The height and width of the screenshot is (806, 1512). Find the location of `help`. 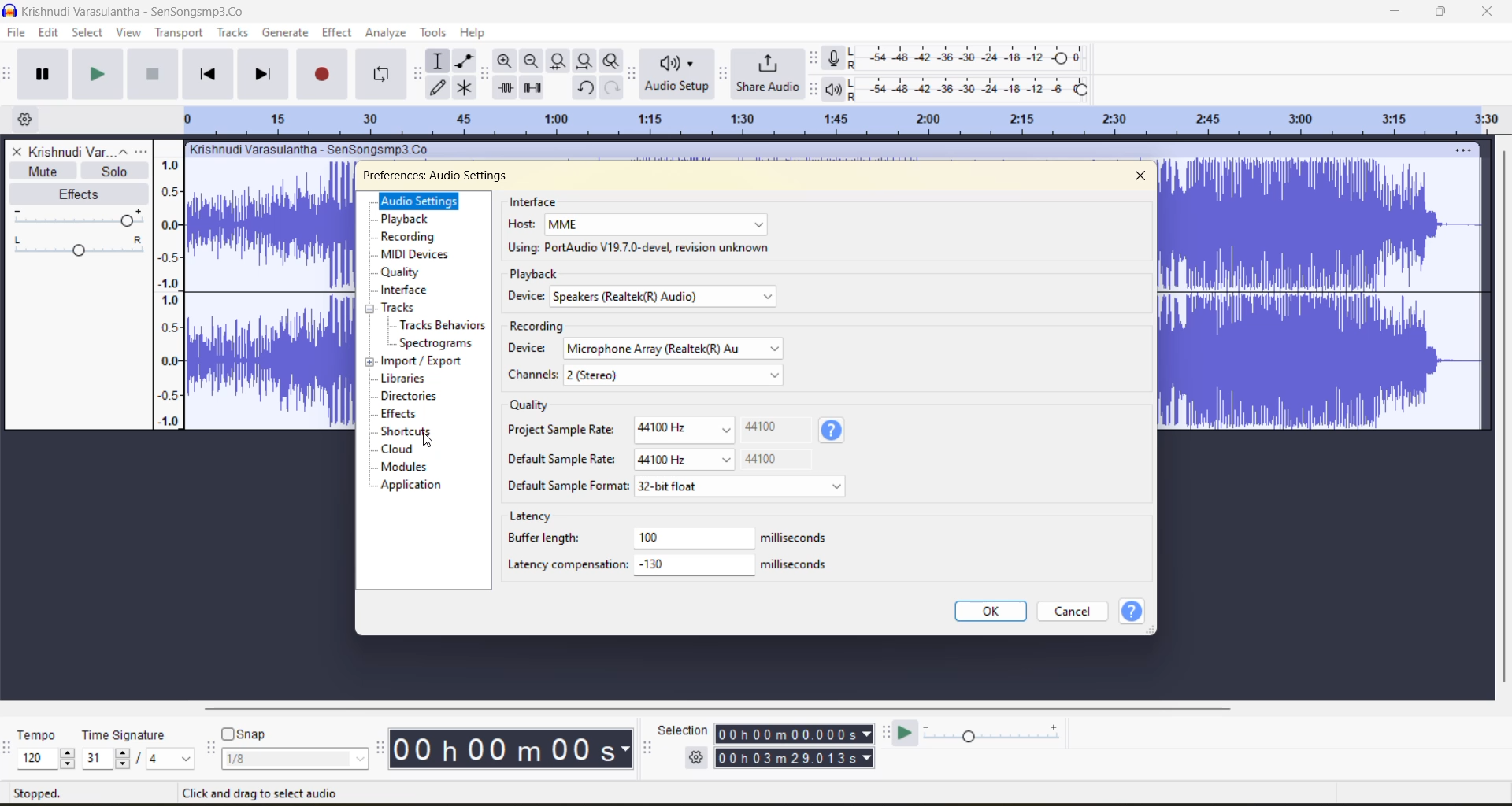

help is located at coordinates (1133, 613).